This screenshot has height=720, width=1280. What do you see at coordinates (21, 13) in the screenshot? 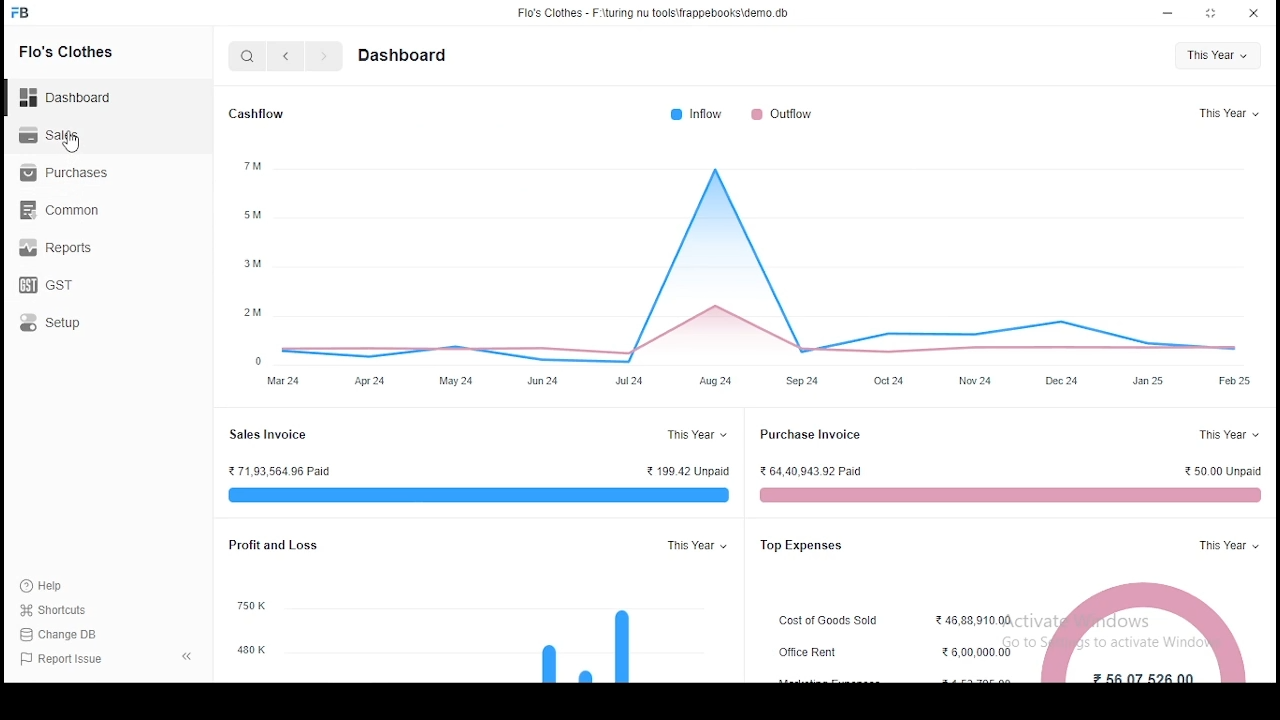
I see `icon` at bounding box center [21, 13].